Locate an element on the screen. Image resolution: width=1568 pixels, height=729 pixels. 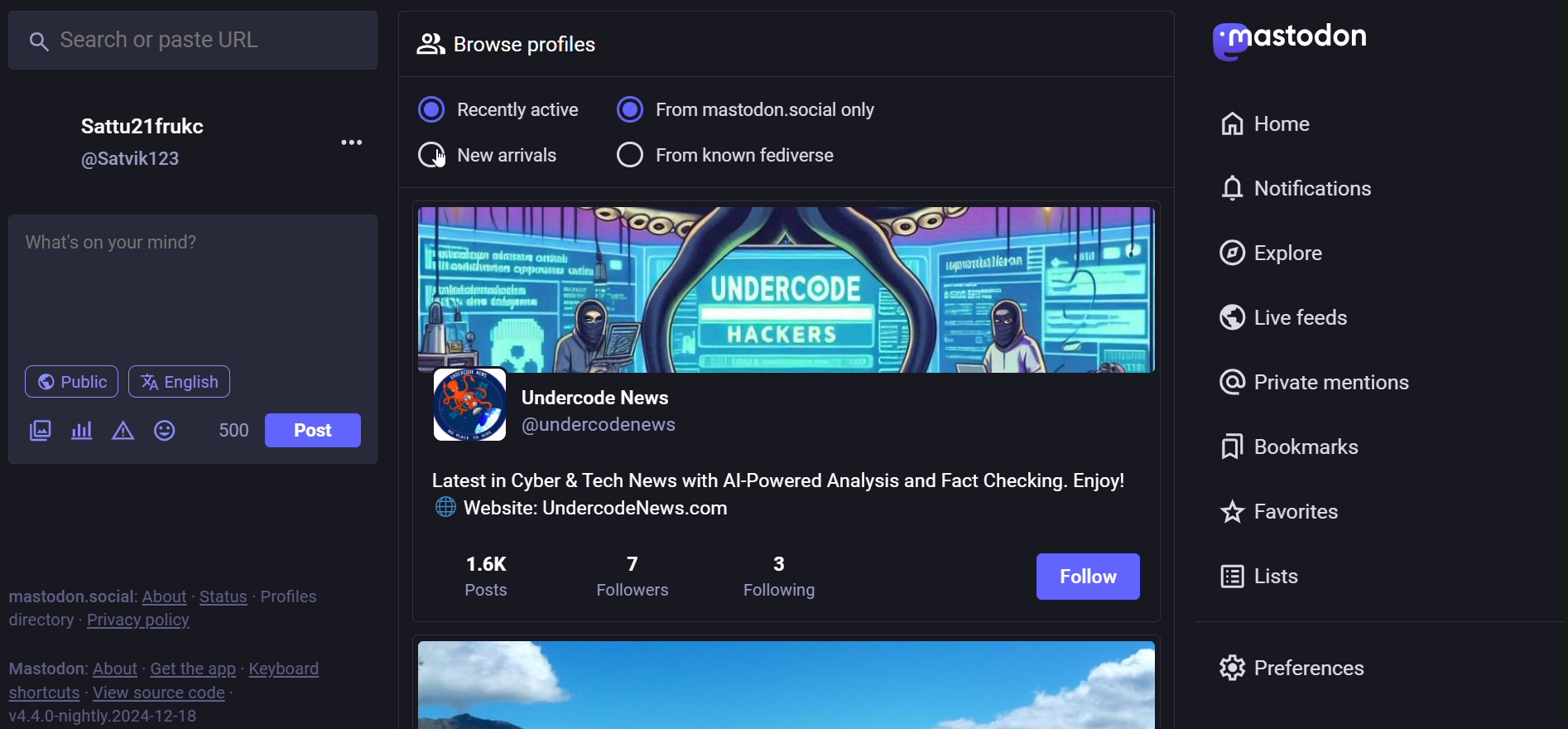
explore is located at coordinates (1281, 257).